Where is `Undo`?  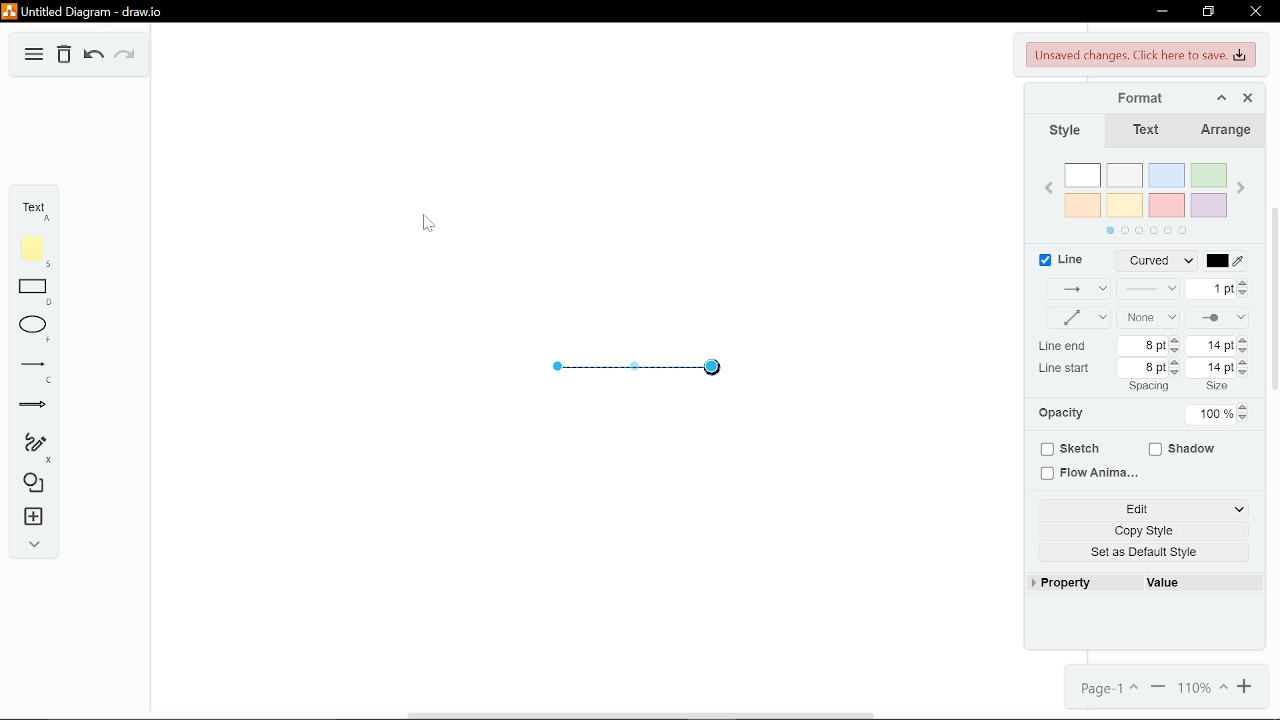
Undo is located at coordinates (93, 55).